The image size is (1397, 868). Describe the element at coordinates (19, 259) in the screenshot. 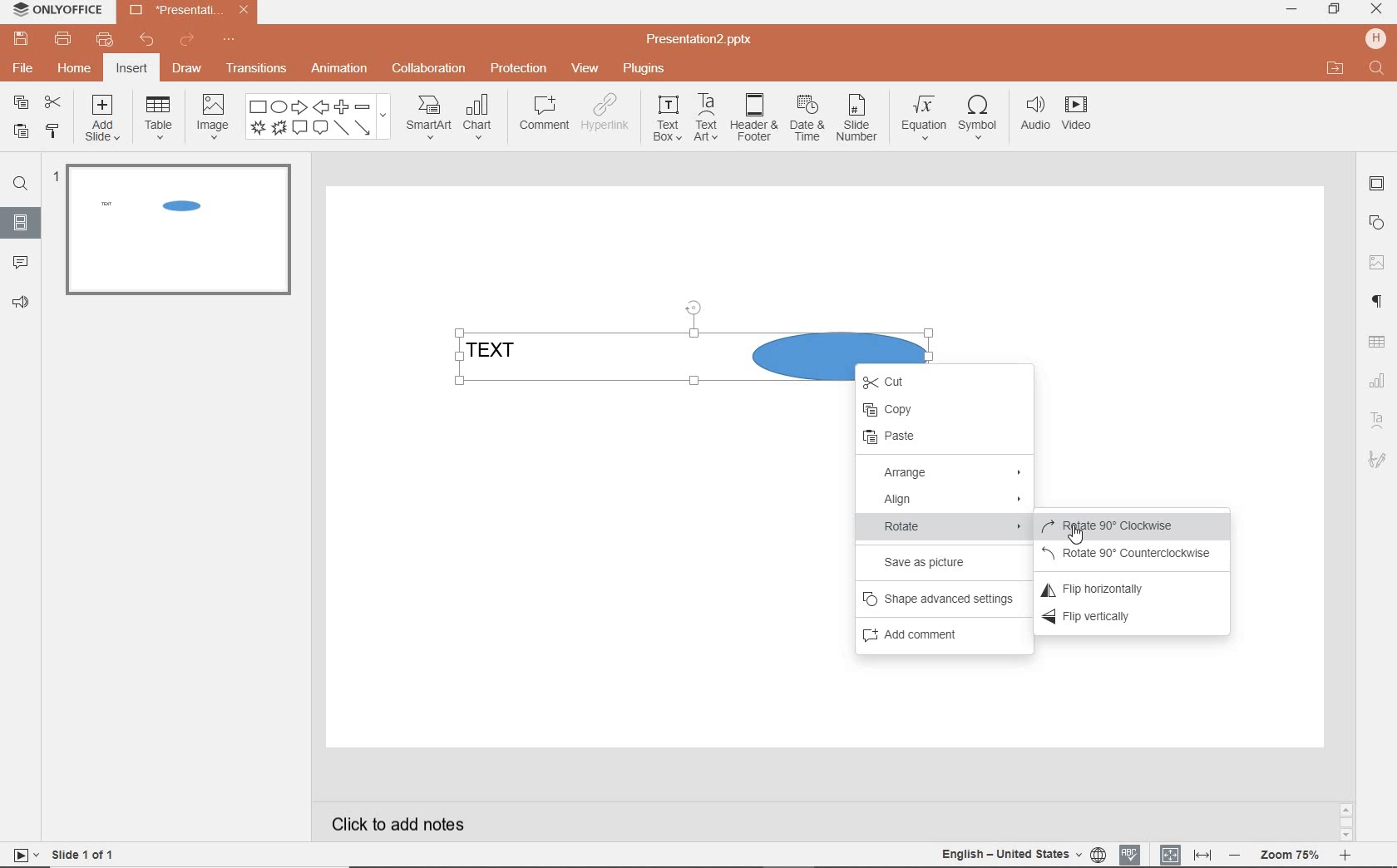

I see `COMMENTS` at that location.